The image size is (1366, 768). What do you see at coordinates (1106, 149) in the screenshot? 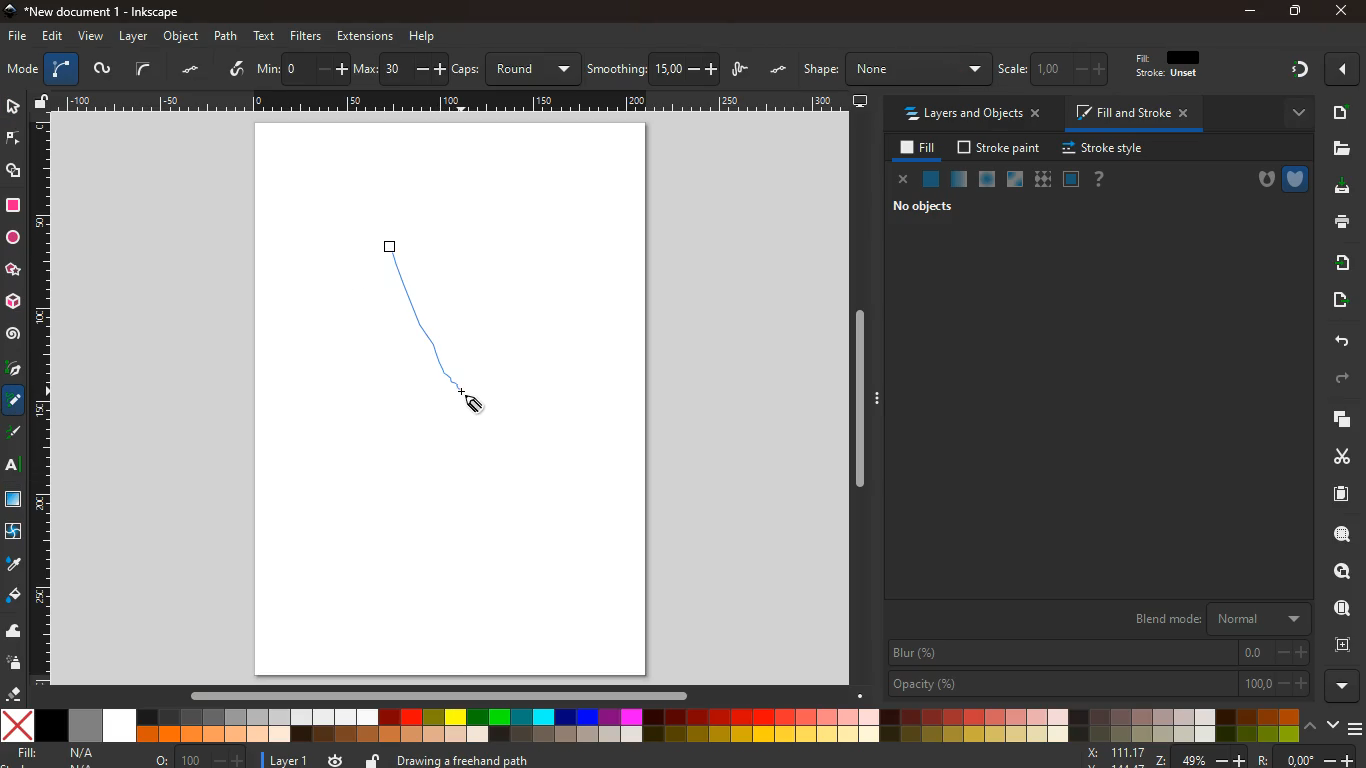
I see `stroke style` at bounding box center [1106, 149].